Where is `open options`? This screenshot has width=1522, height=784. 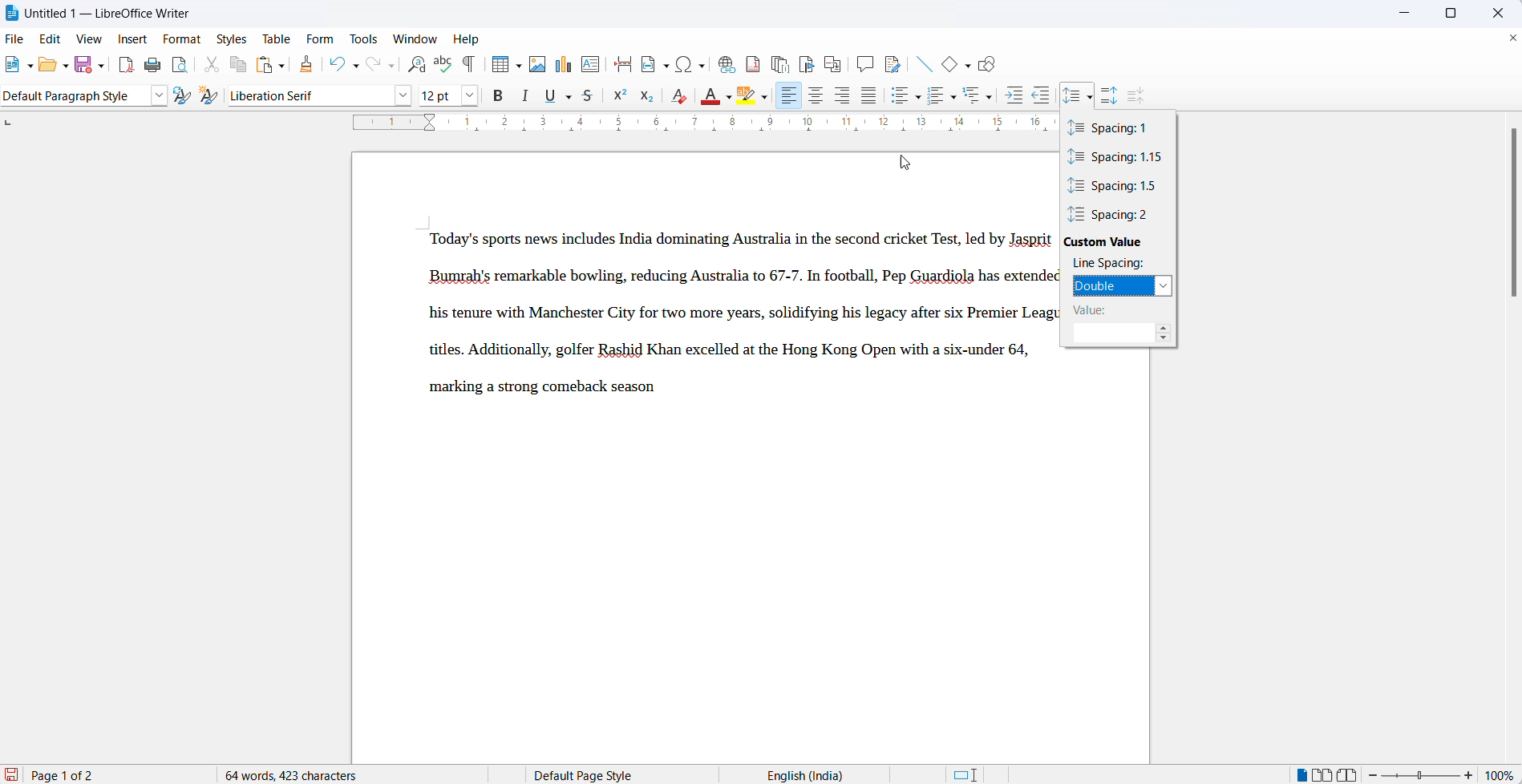
open options is located at coordinates (62, 66).